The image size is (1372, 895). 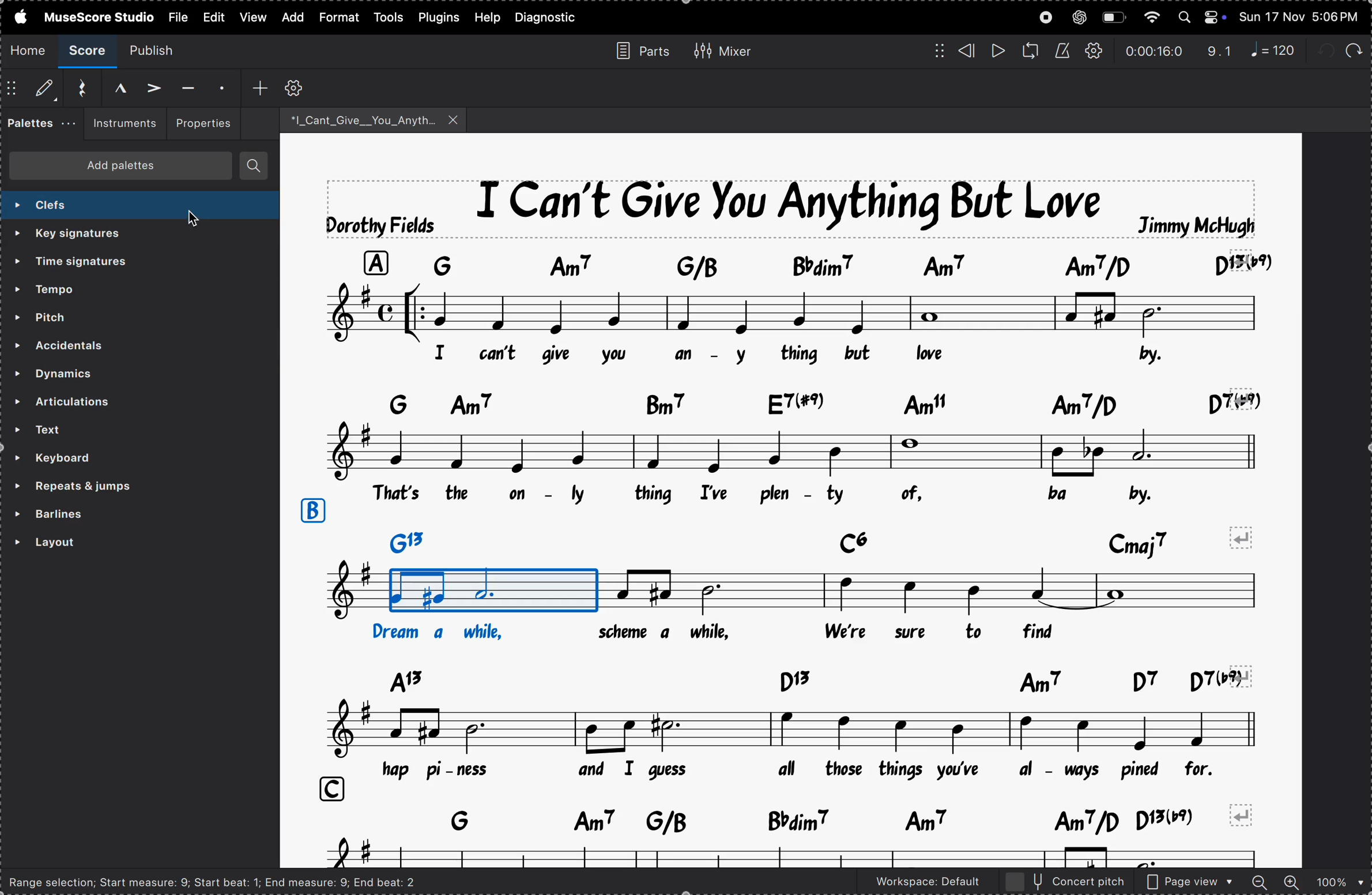 I want to click on revert, so click(x=1245, y=814).